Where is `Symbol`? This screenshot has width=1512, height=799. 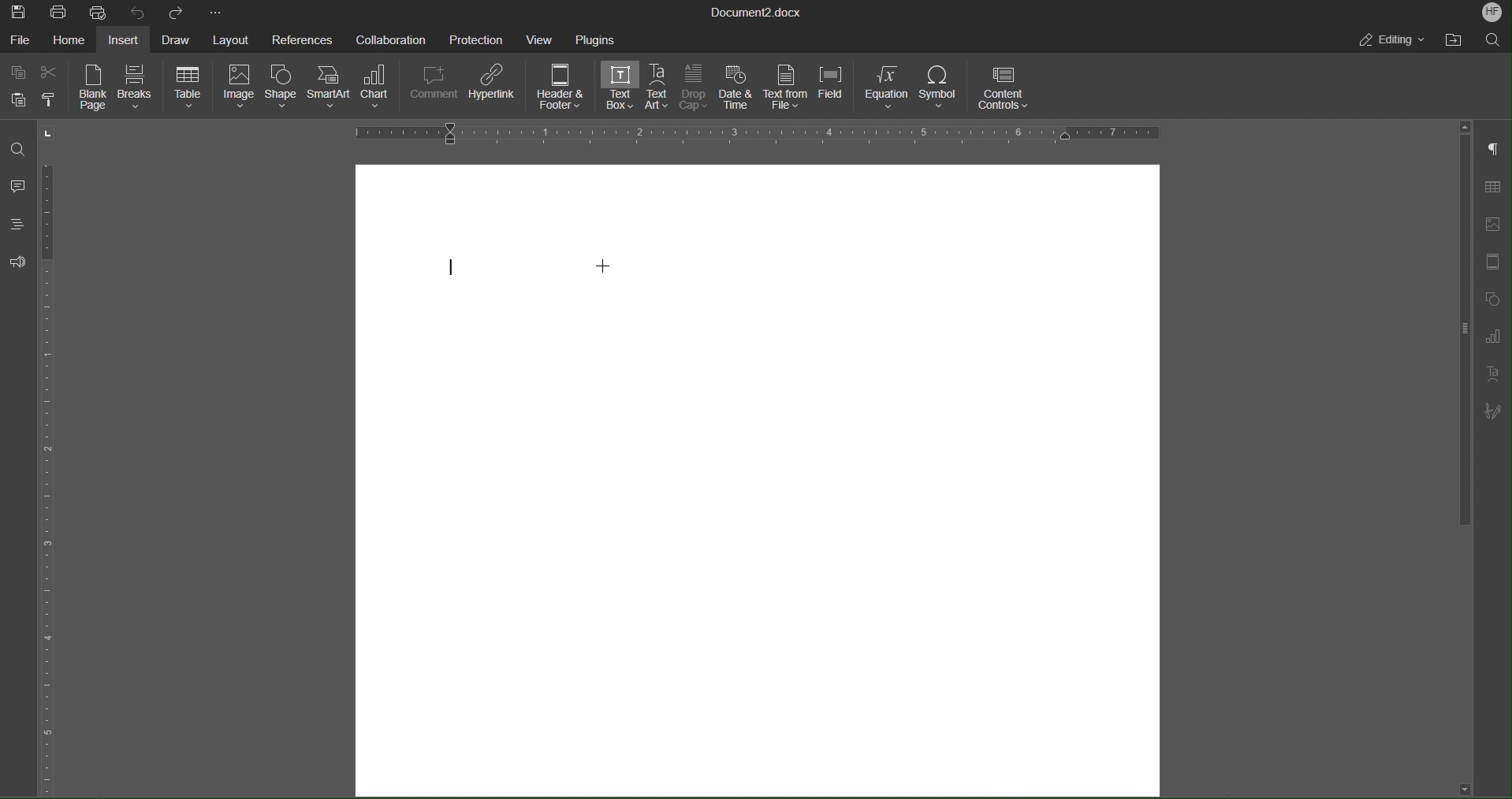 Symbol is located at coordinates (940, 88).